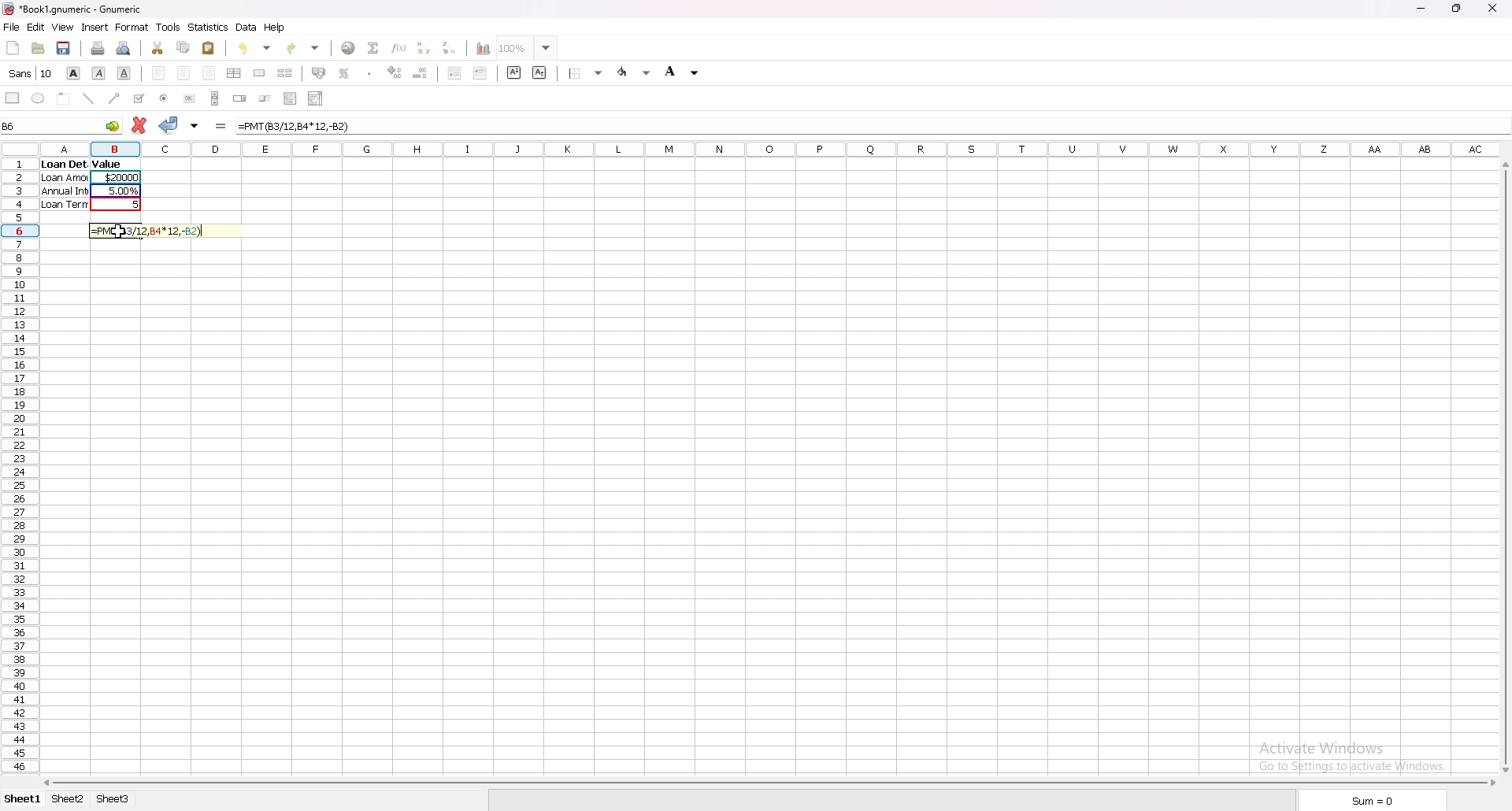 This screenshot has width=1512, height=811. What do you see at coordinates (220, 127) in the screenshot?
I see `formula` at bounding box center [220, 127].